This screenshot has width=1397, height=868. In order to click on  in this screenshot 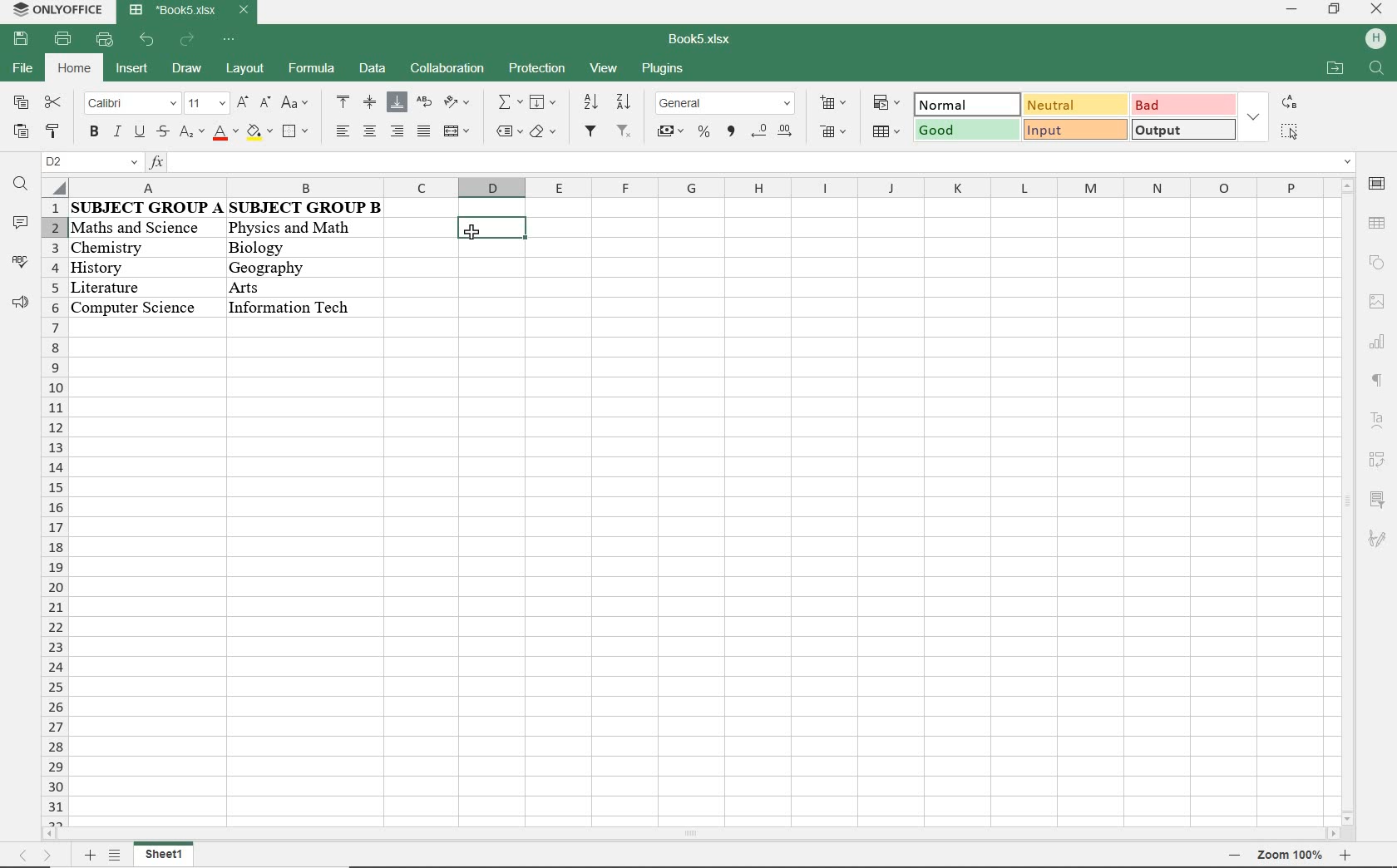, I will do `click(293, 307)`.